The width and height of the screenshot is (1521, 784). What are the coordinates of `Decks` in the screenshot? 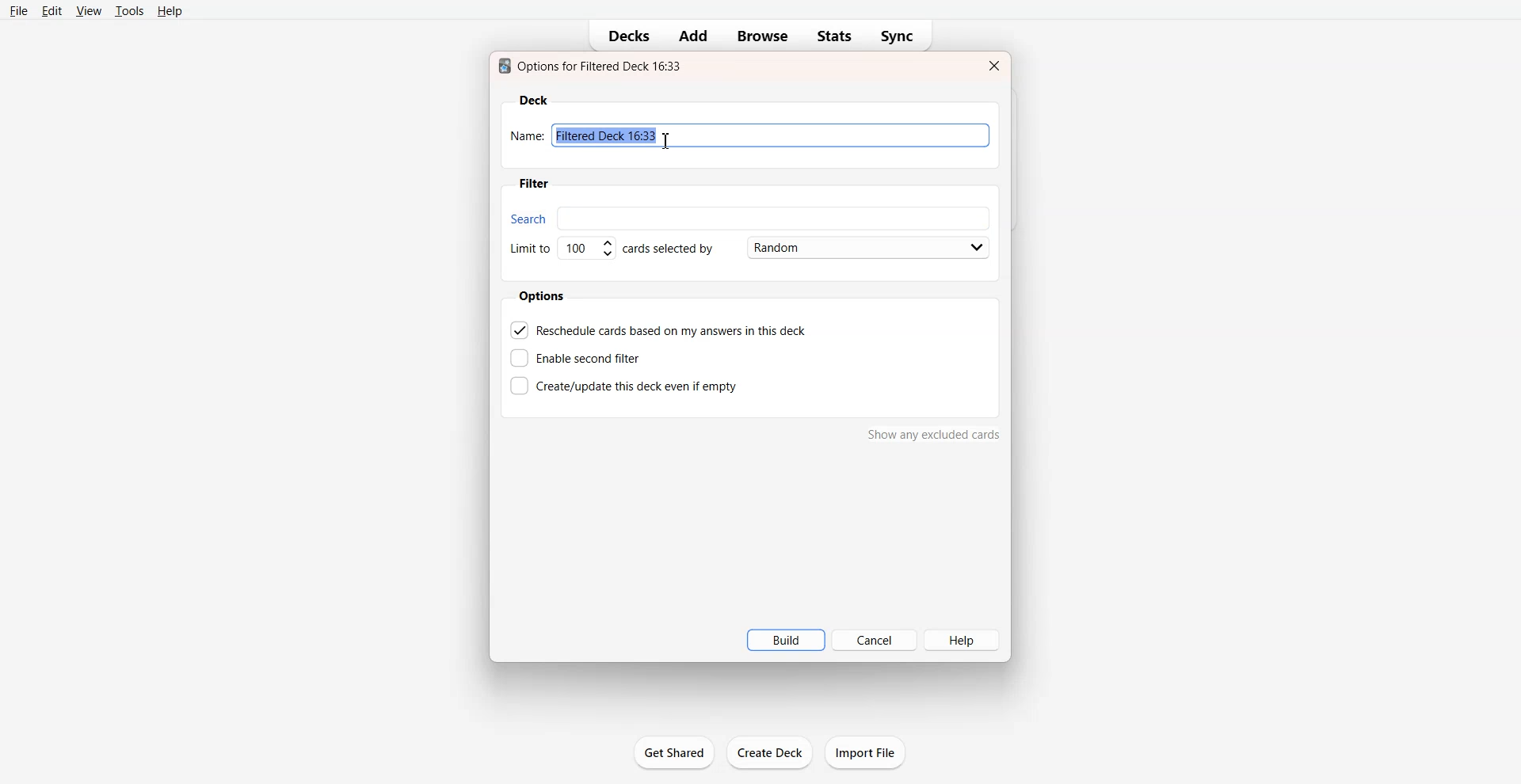 It's located at (623, 36).